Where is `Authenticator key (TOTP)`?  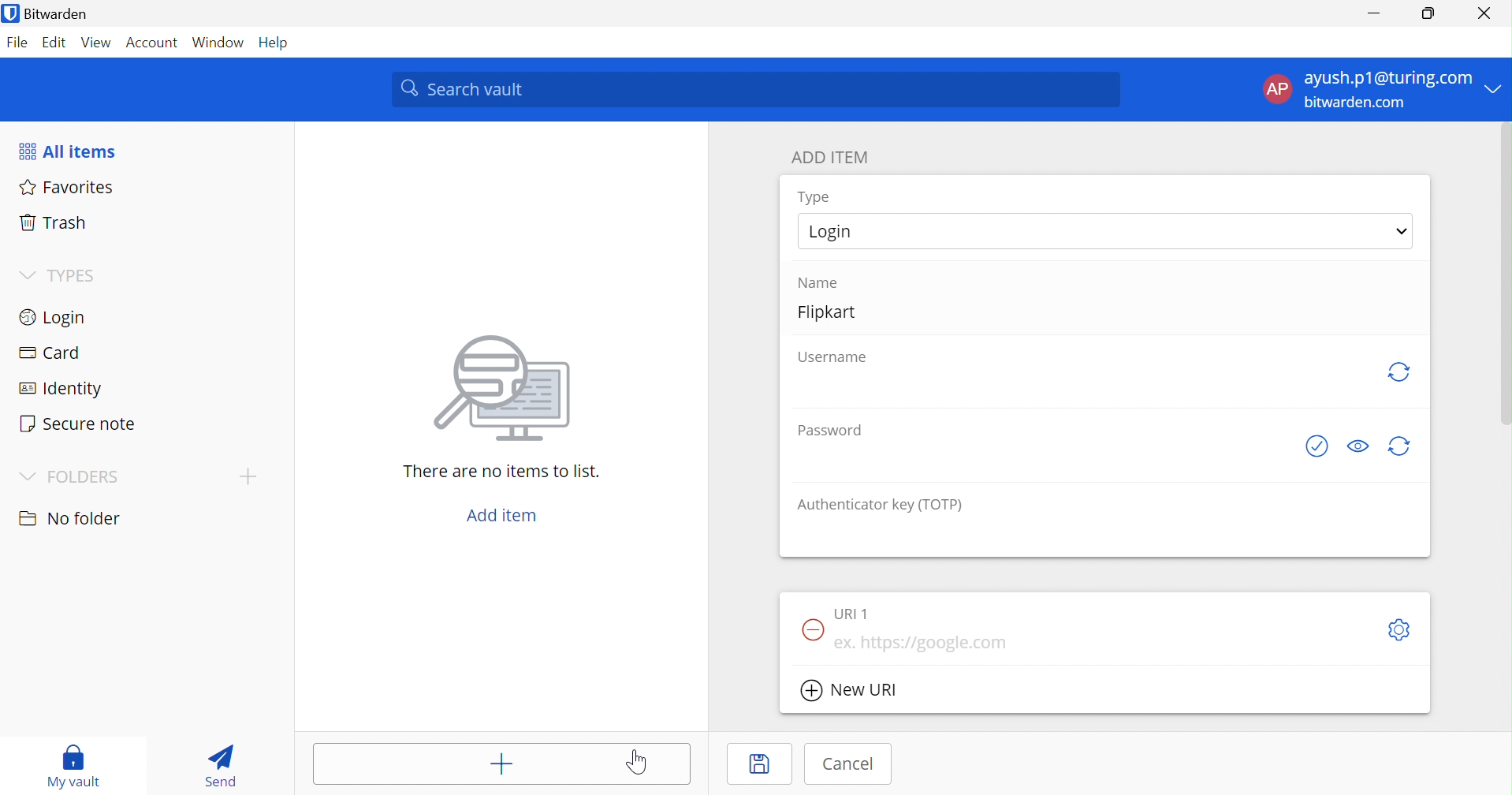 Authenticator key (TOTP) is located at coordinates (881, 506).